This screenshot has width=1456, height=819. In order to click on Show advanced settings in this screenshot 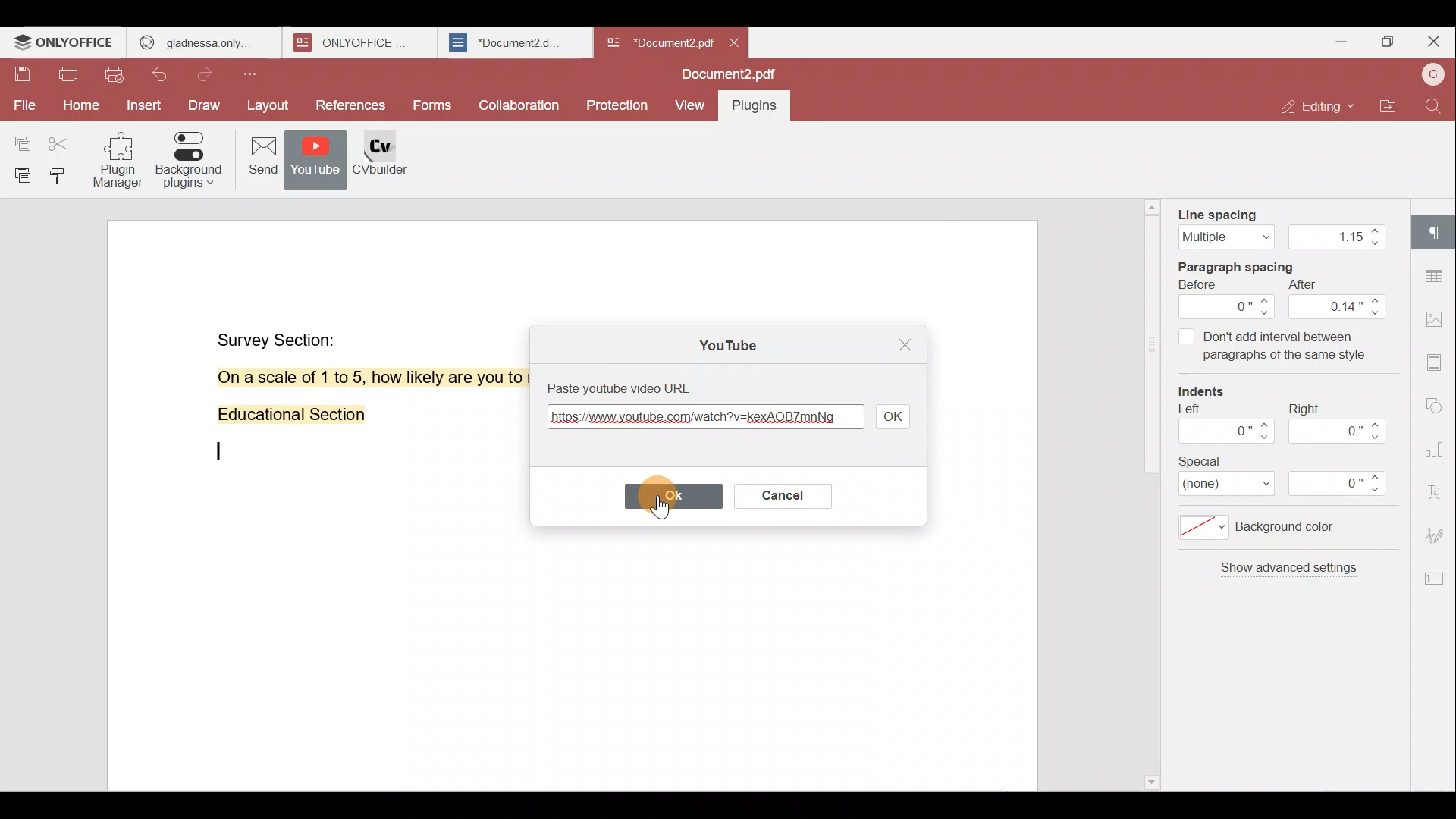, I will do `click(1286, 574)`.